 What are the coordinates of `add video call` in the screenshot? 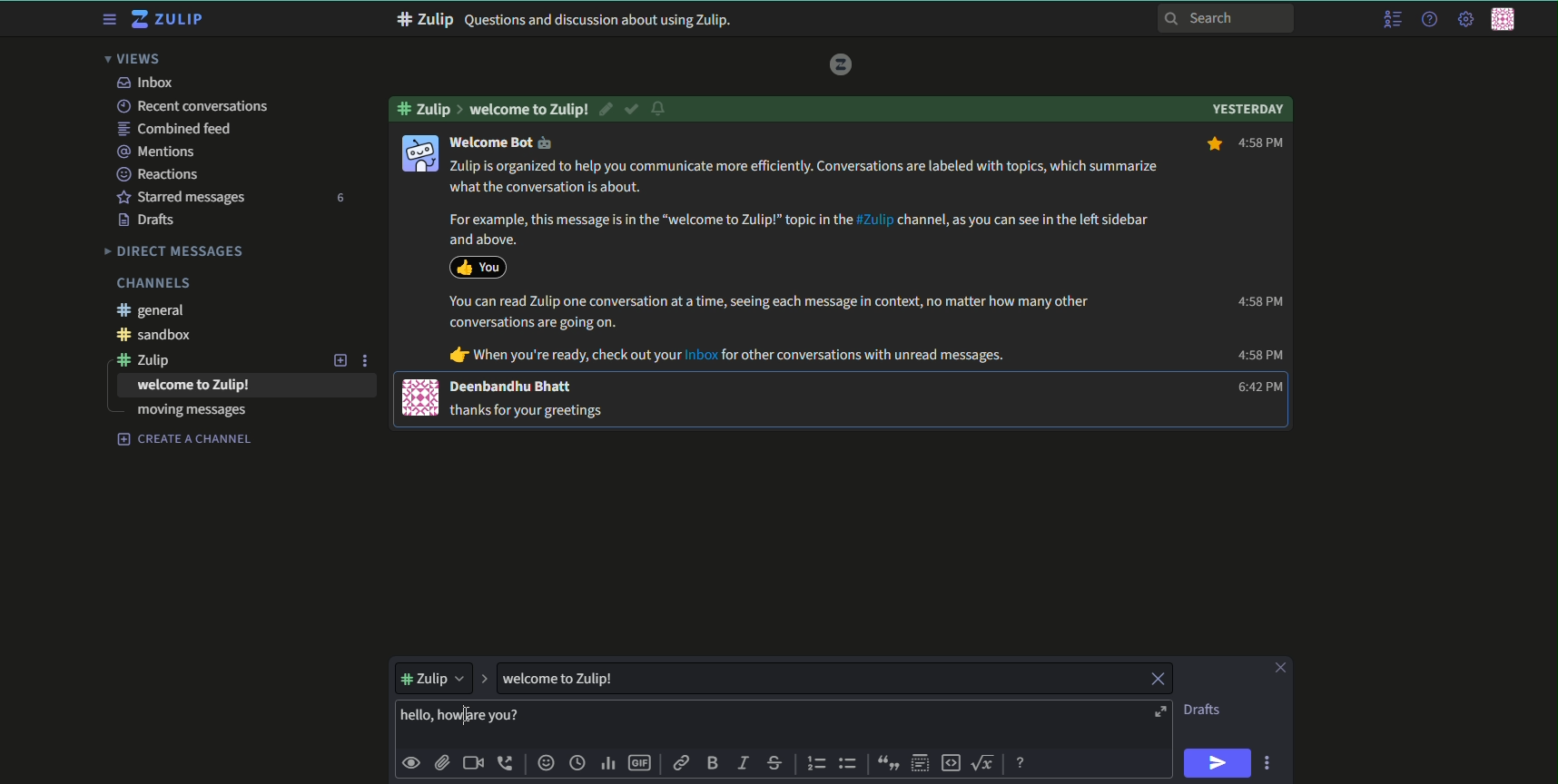 It's located at (473, 763).